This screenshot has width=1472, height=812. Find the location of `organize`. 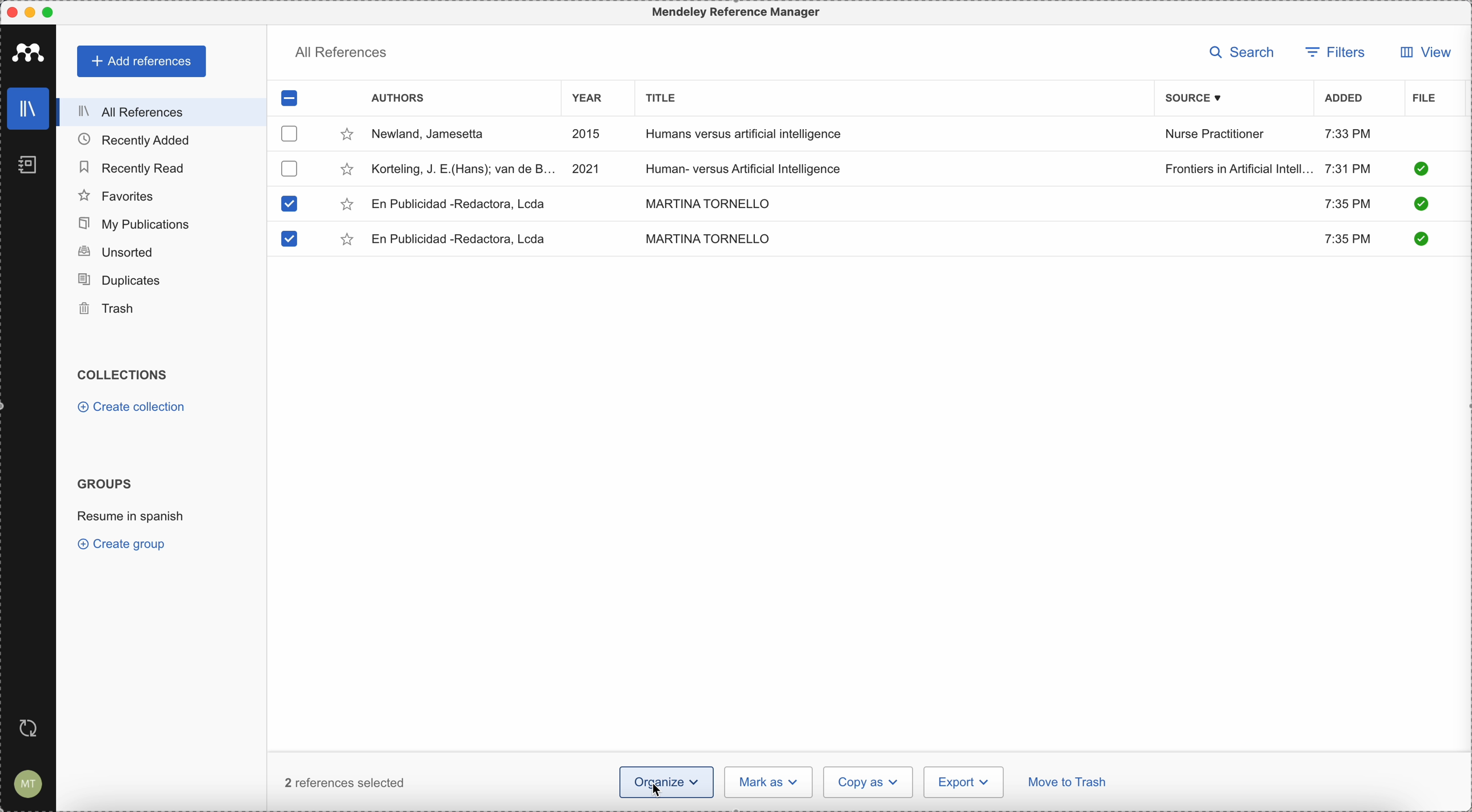

organize is located at coordinates (694, 781).